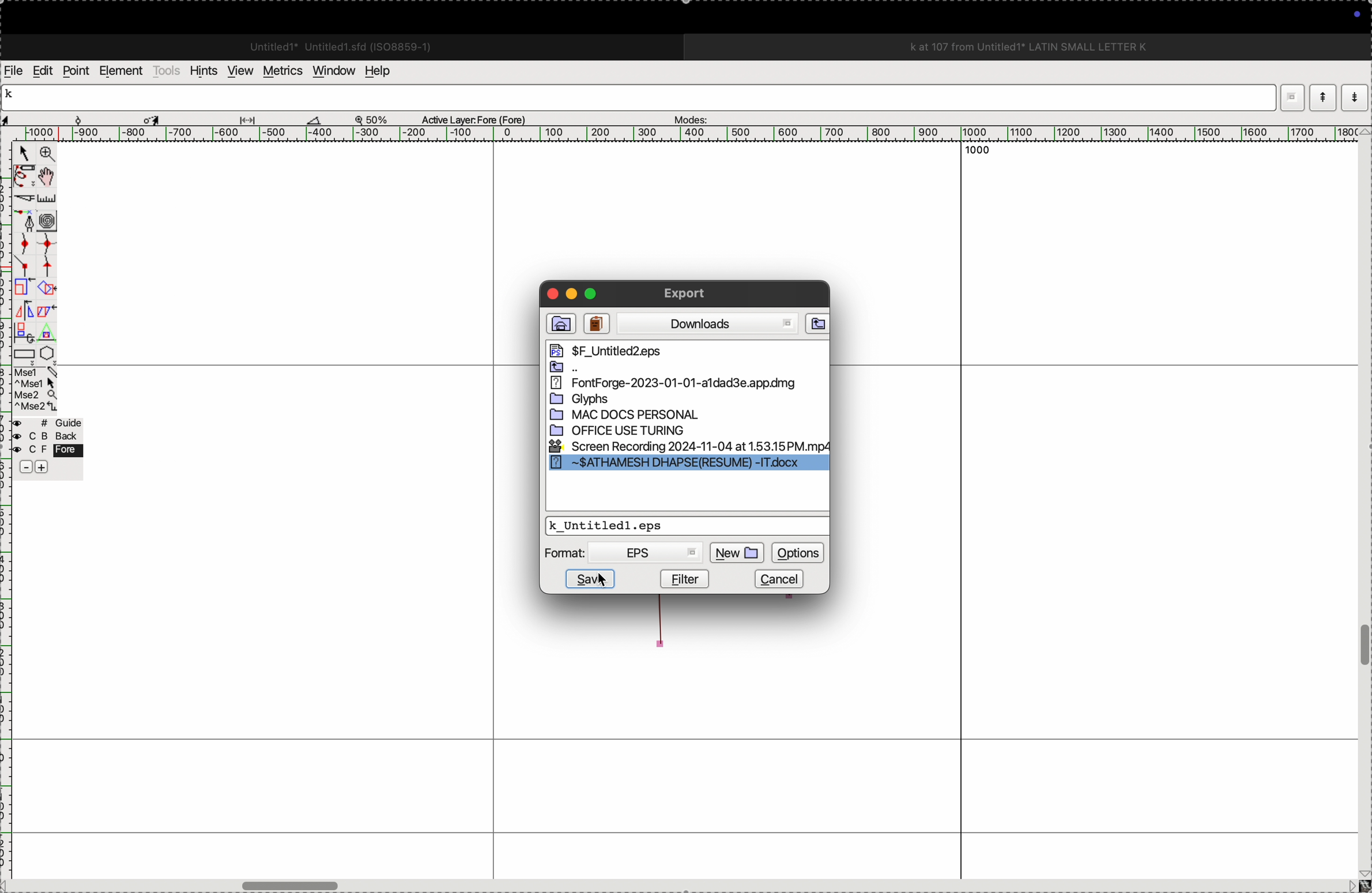  What do you see at coordinates (22, 198) in the screenshot?
I see `cut` at bounding box center [22, 198].